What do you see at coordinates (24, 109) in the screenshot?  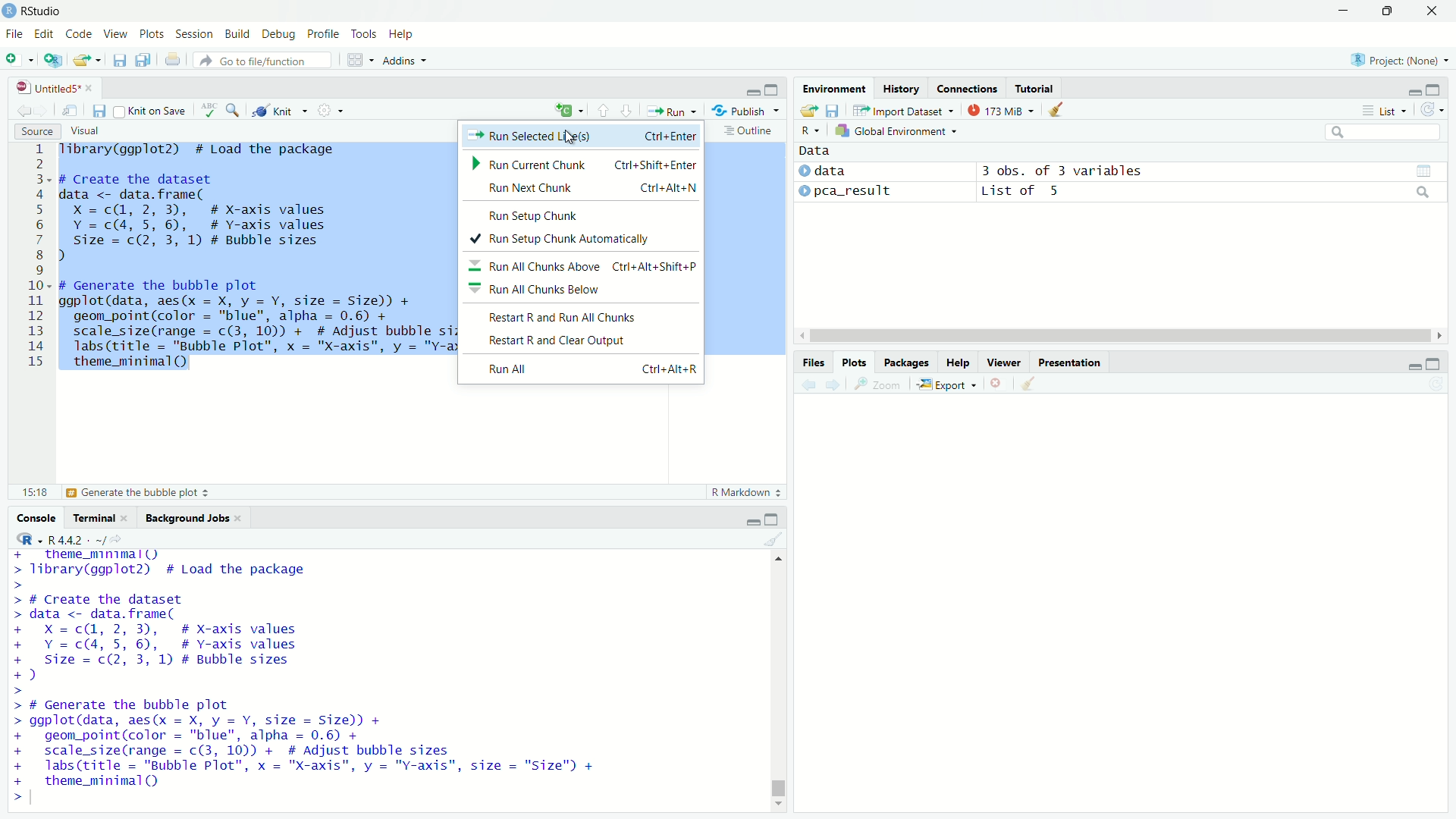 I see `go back` at bounding box center [24, 109].